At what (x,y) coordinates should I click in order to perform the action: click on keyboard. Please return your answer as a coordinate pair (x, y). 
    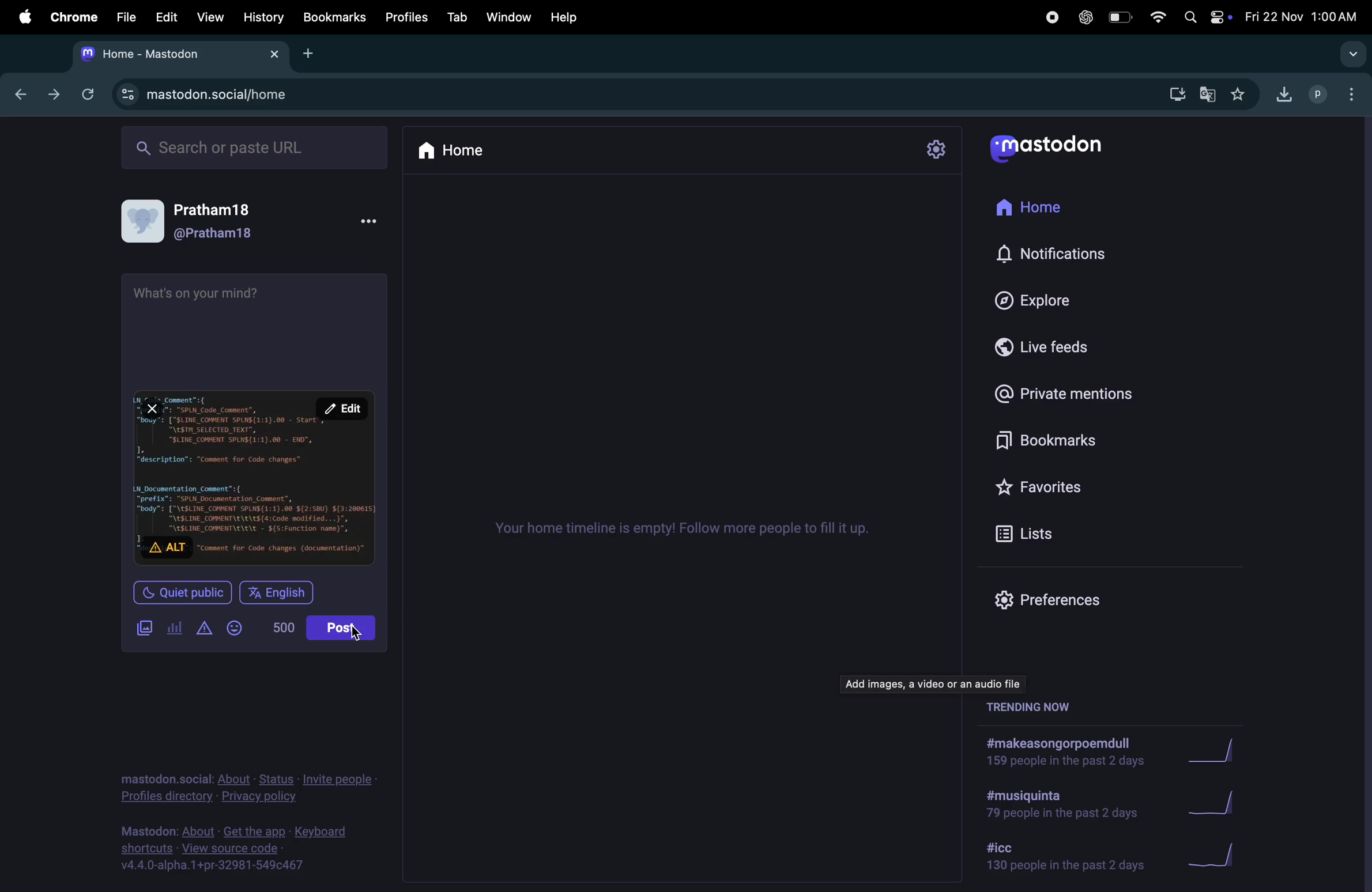
    Looking at the image, I should click on (323, 832).